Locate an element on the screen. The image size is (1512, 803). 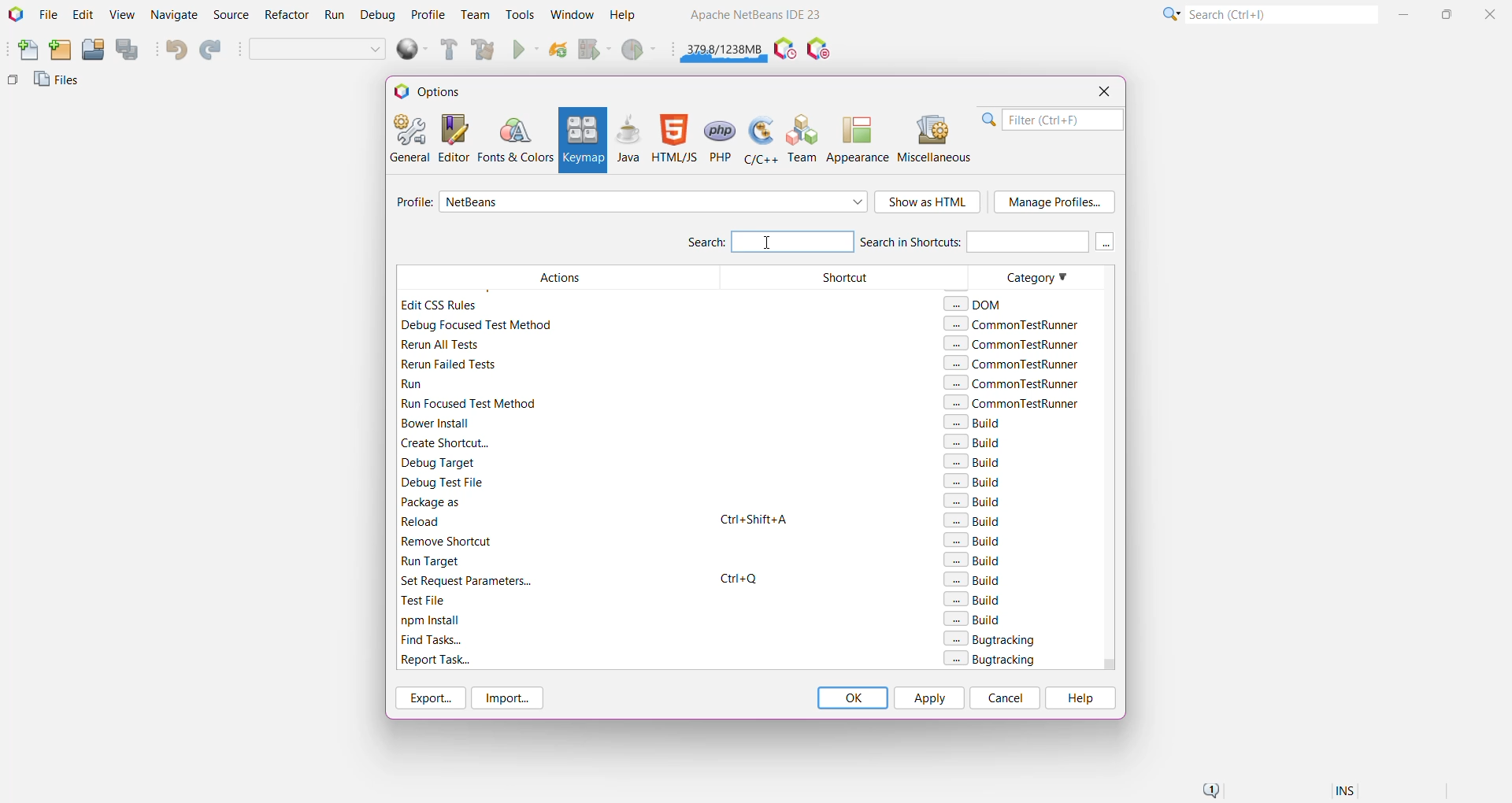
Close is located at coordinates (1492, 13).